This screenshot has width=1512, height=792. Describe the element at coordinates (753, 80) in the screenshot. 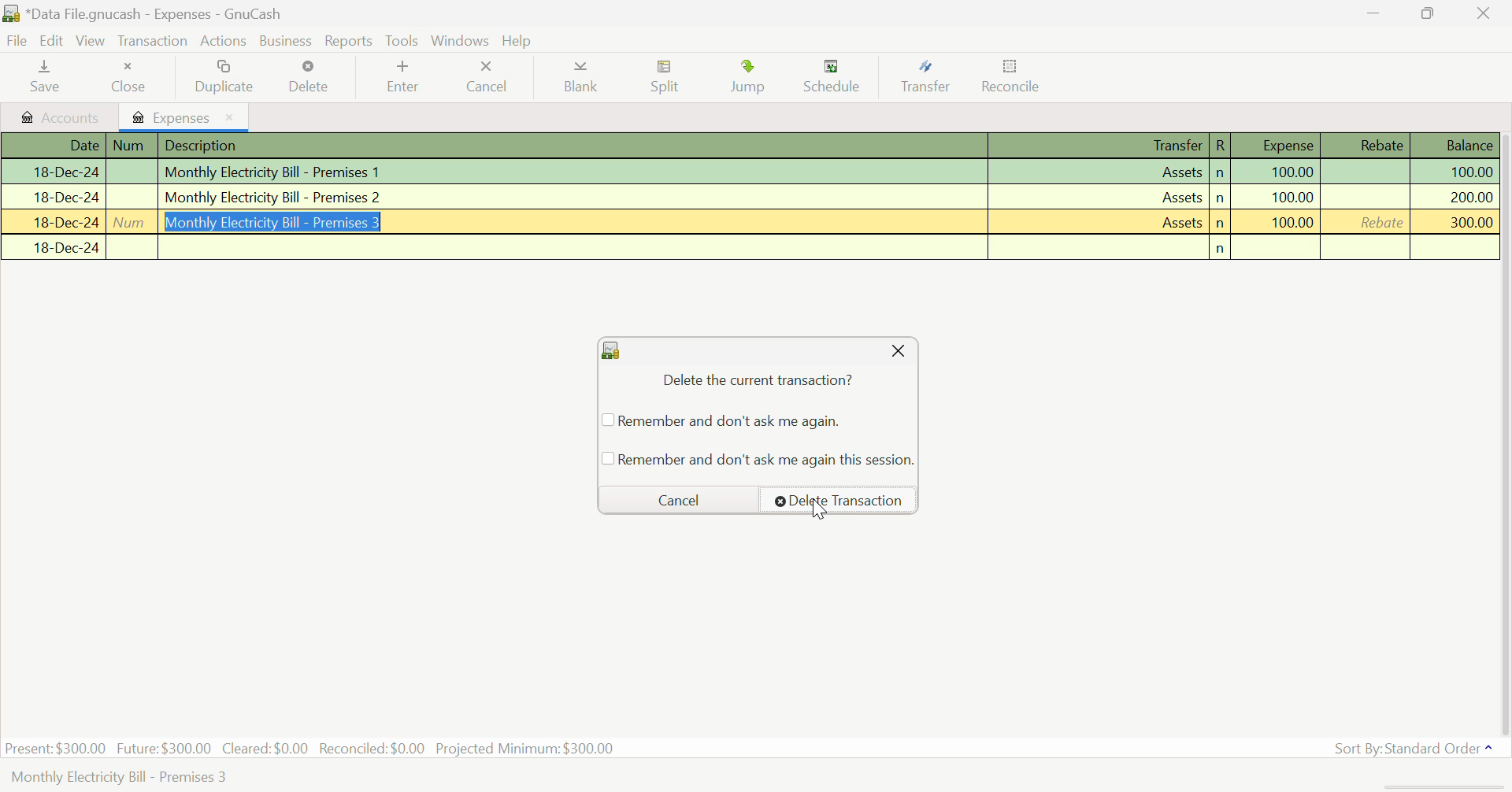

I see `Jump` at that location.